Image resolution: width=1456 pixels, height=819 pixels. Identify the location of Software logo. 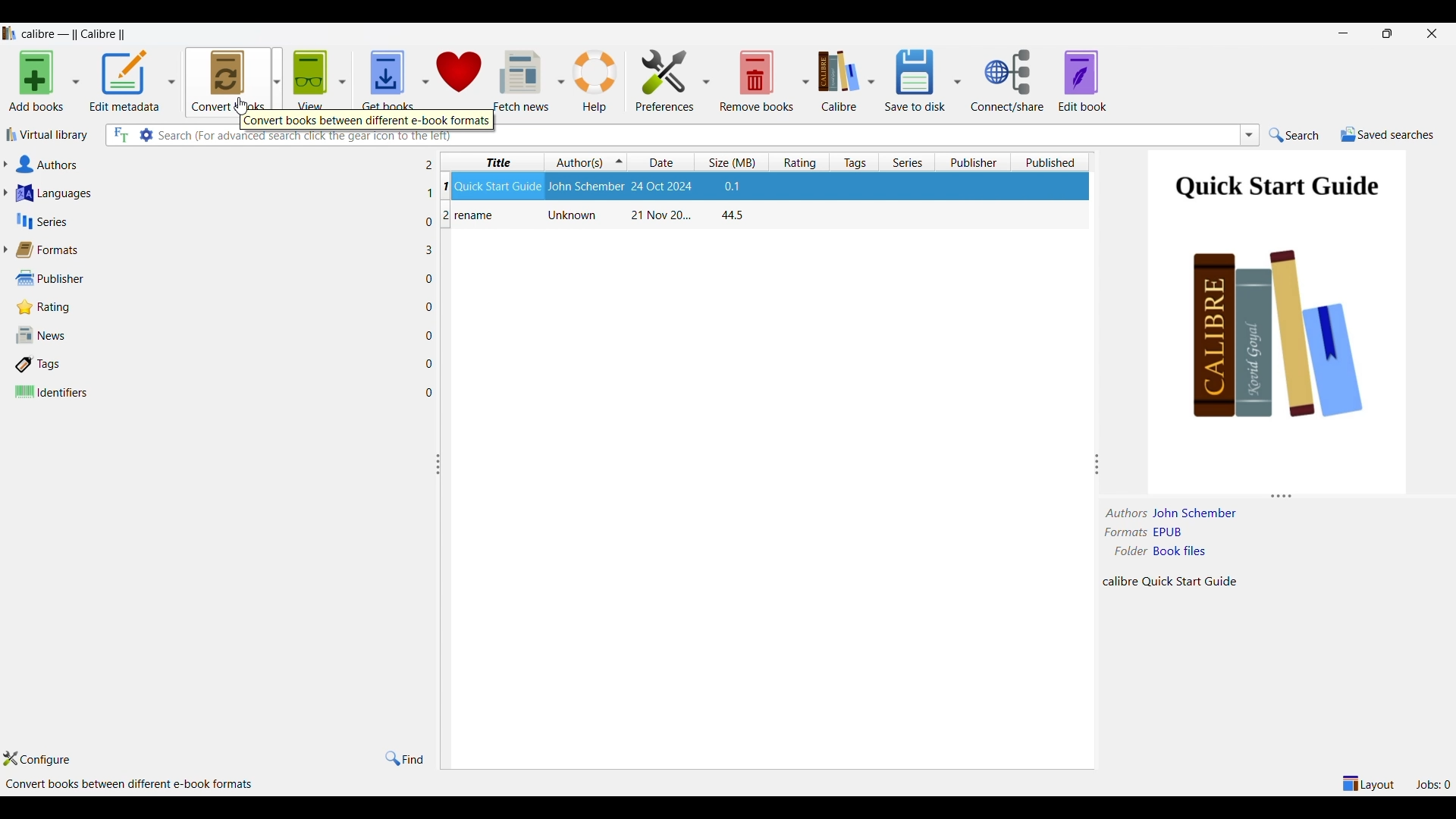
(9, 33).